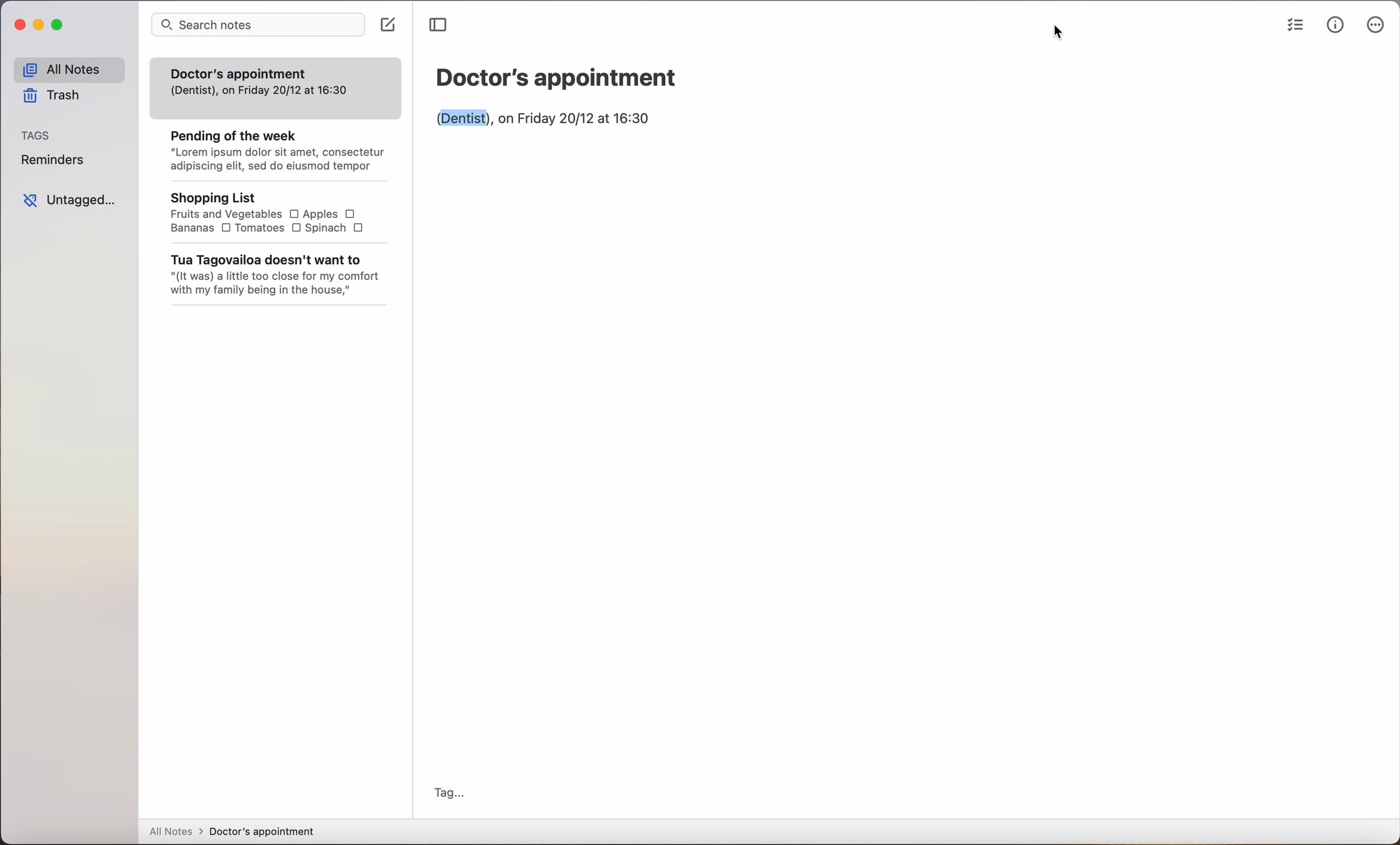  What do you see at coordinates (261, 212) in the screenshot?
I see `Shopping List Fruits and Vegetables O Apples OBananas O Tomatoes O Spinach O` at bounding box center [261, 212].